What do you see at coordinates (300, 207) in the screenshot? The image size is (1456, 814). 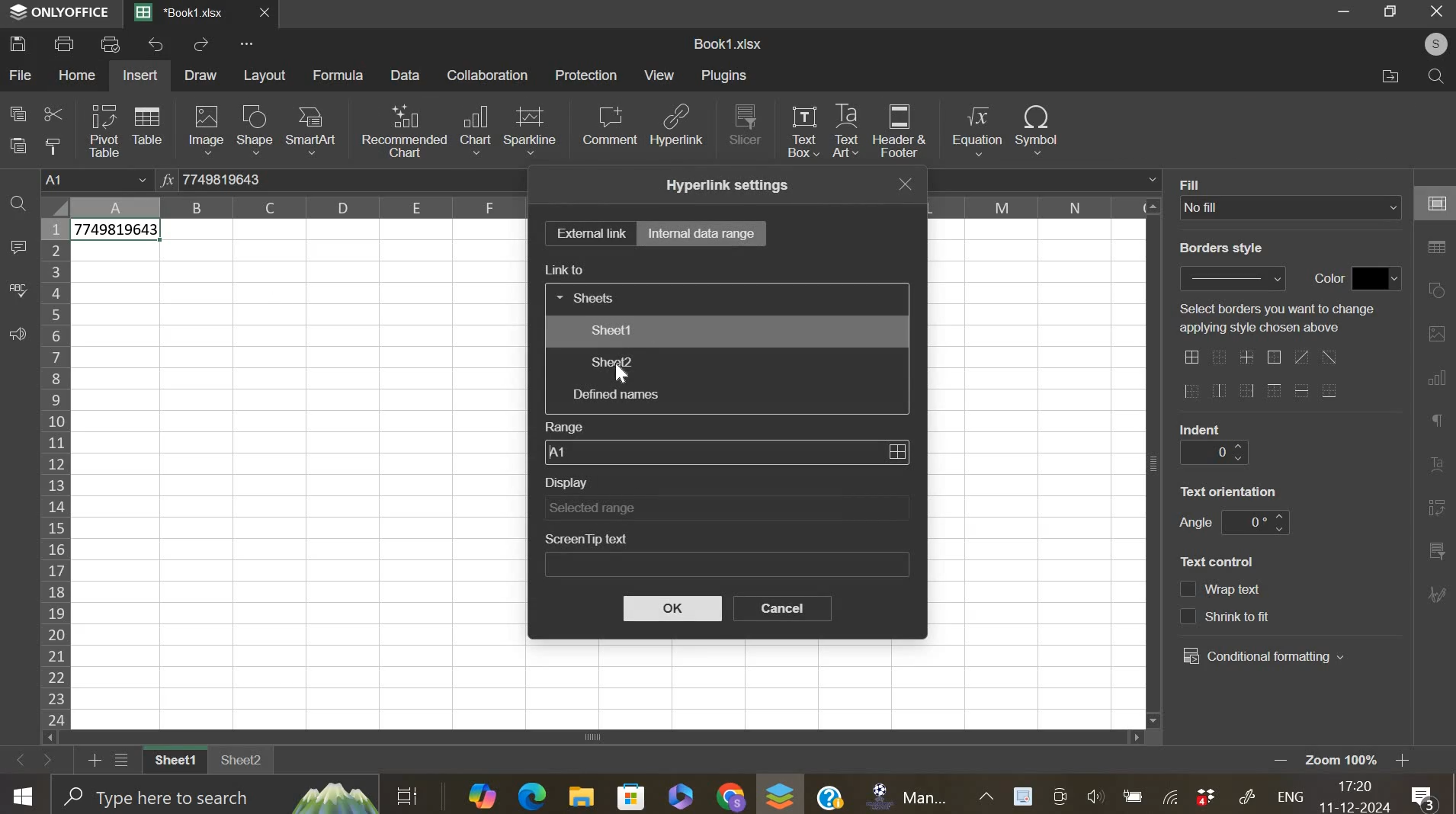 I see `column` at bounding box center [300, 207].